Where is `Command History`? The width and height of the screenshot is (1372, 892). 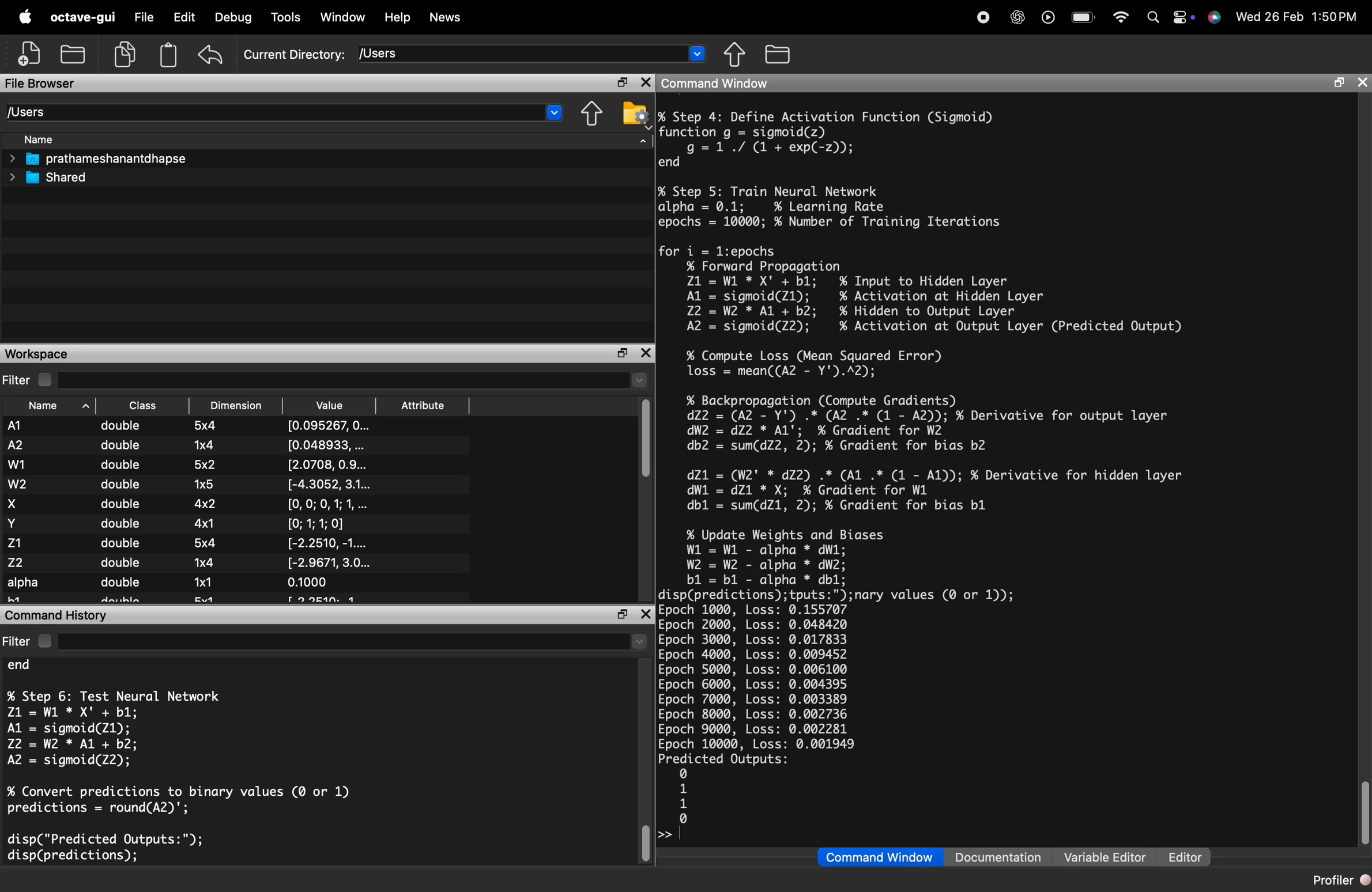
Command History is located at coordinates (57, 614).